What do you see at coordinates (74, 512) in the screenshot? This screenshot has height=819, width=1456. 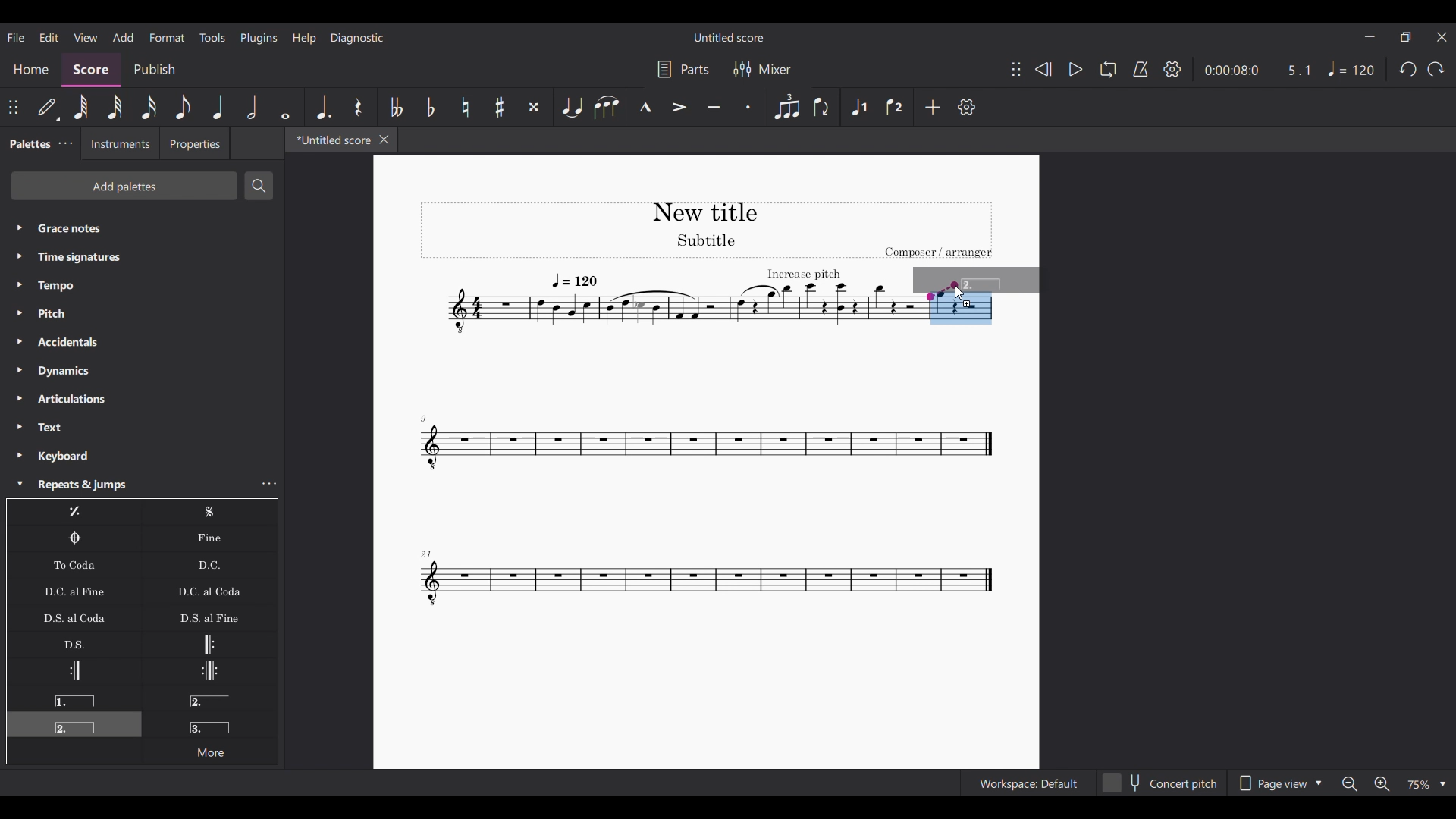 I see `Repeat last measure` at bounding box center [74, 512].